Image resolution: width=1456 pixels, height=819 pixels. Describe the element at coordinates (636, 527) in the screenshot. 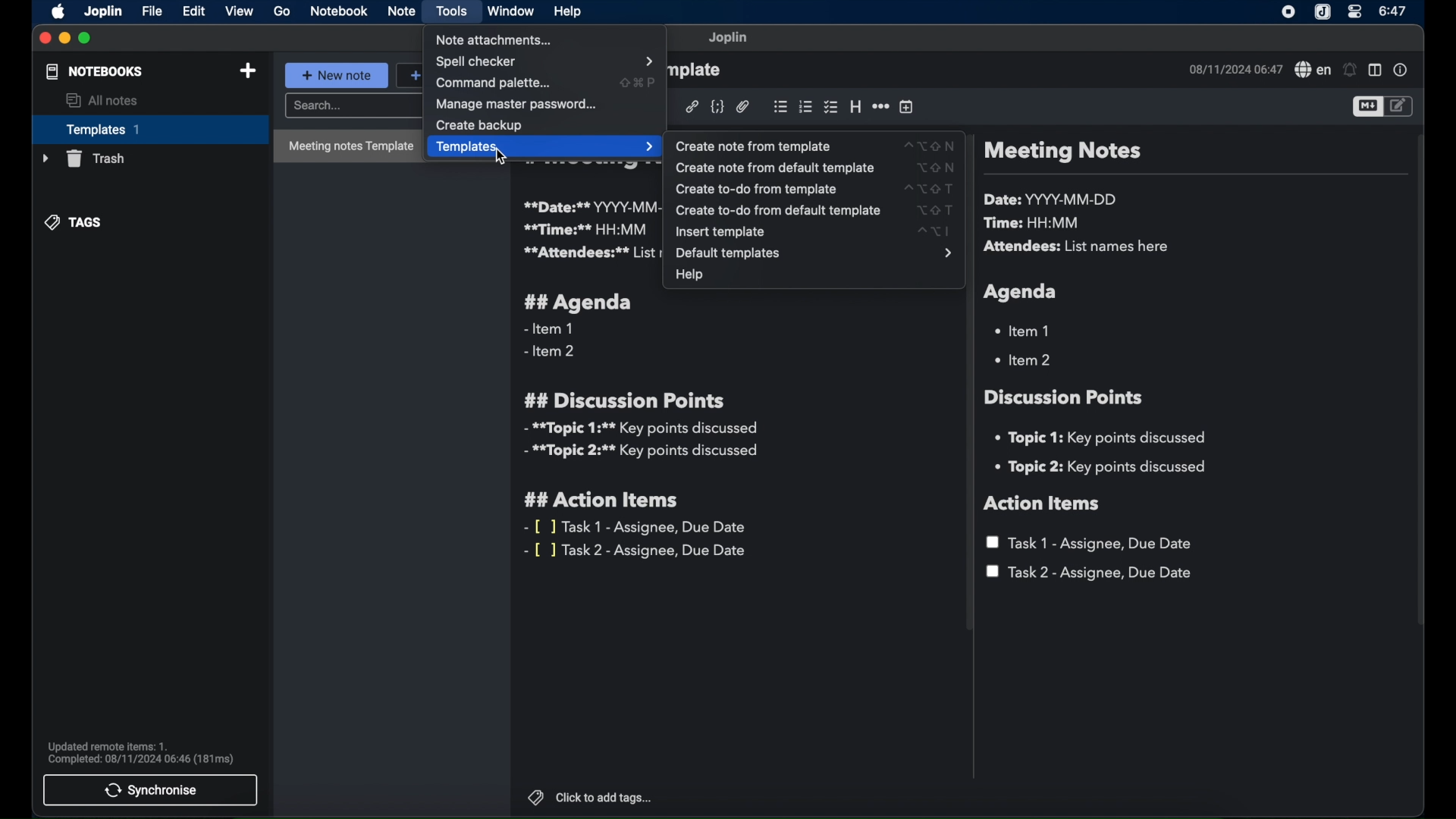

I see `- [ ] task 1- assignee, due date` at that location.